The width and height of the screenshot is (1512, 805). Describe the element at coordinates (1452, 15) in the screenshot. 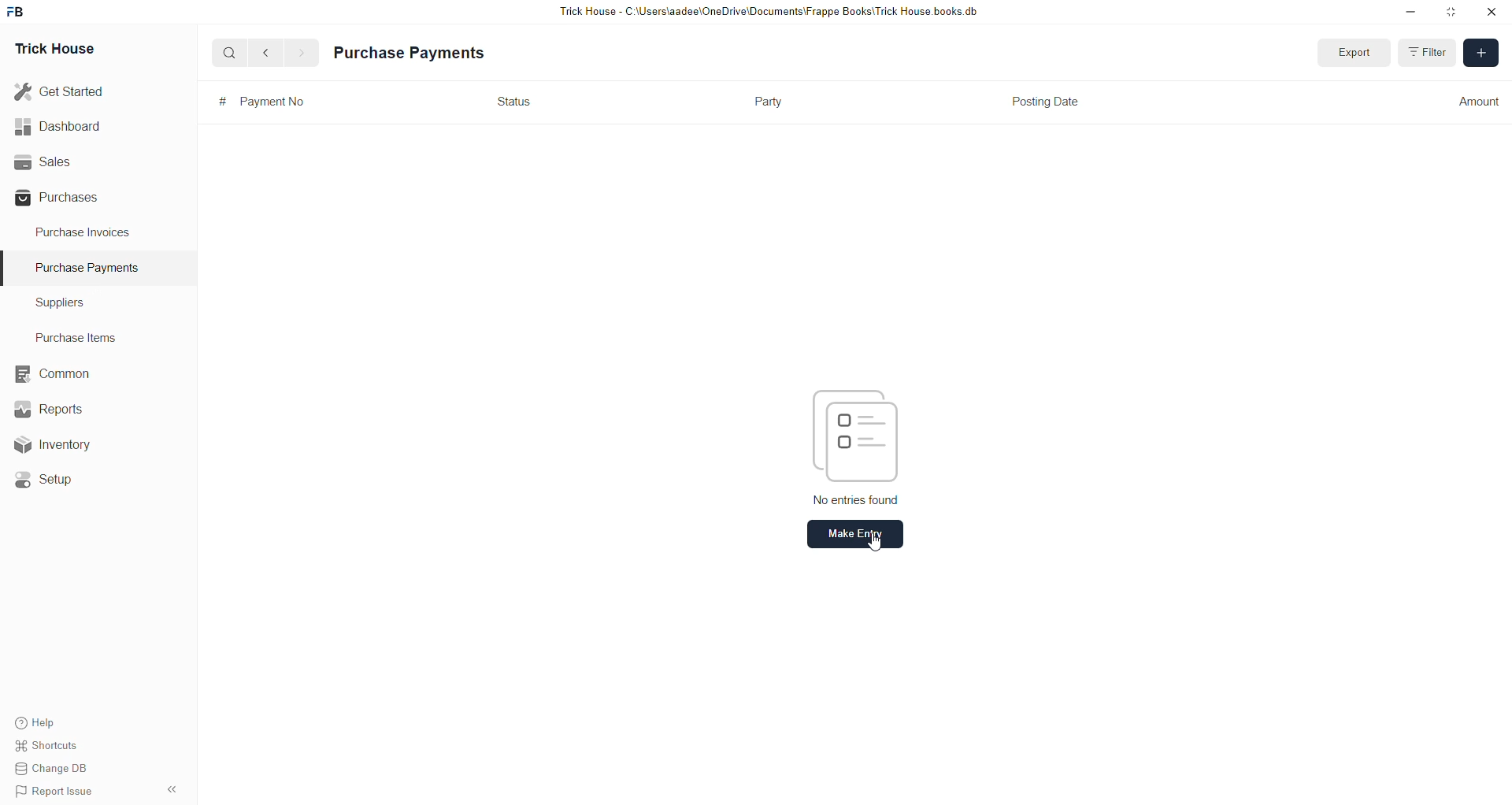

I see `Maximize` at that location.